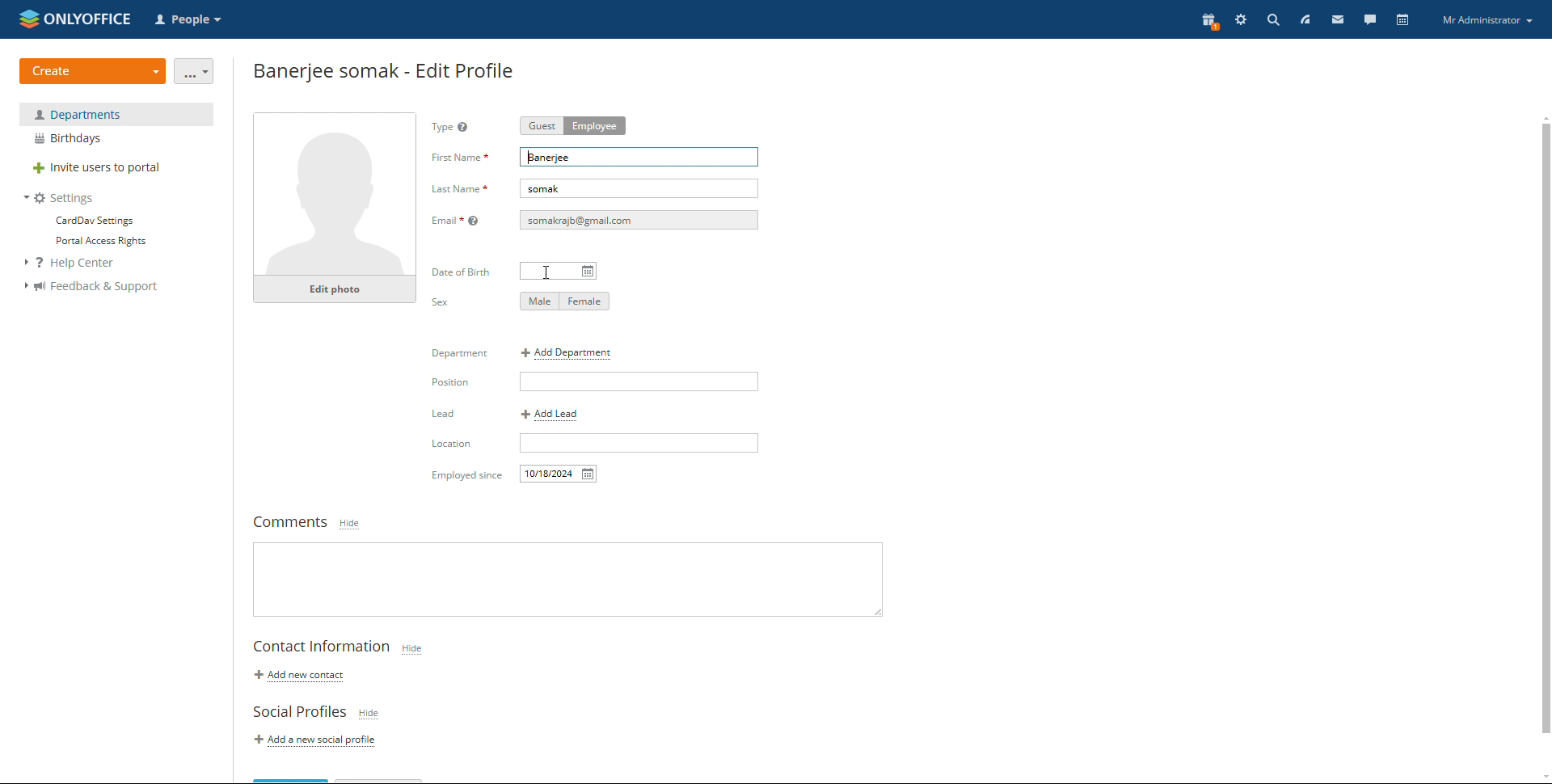  I want to click on more actions, so click(195, 71).